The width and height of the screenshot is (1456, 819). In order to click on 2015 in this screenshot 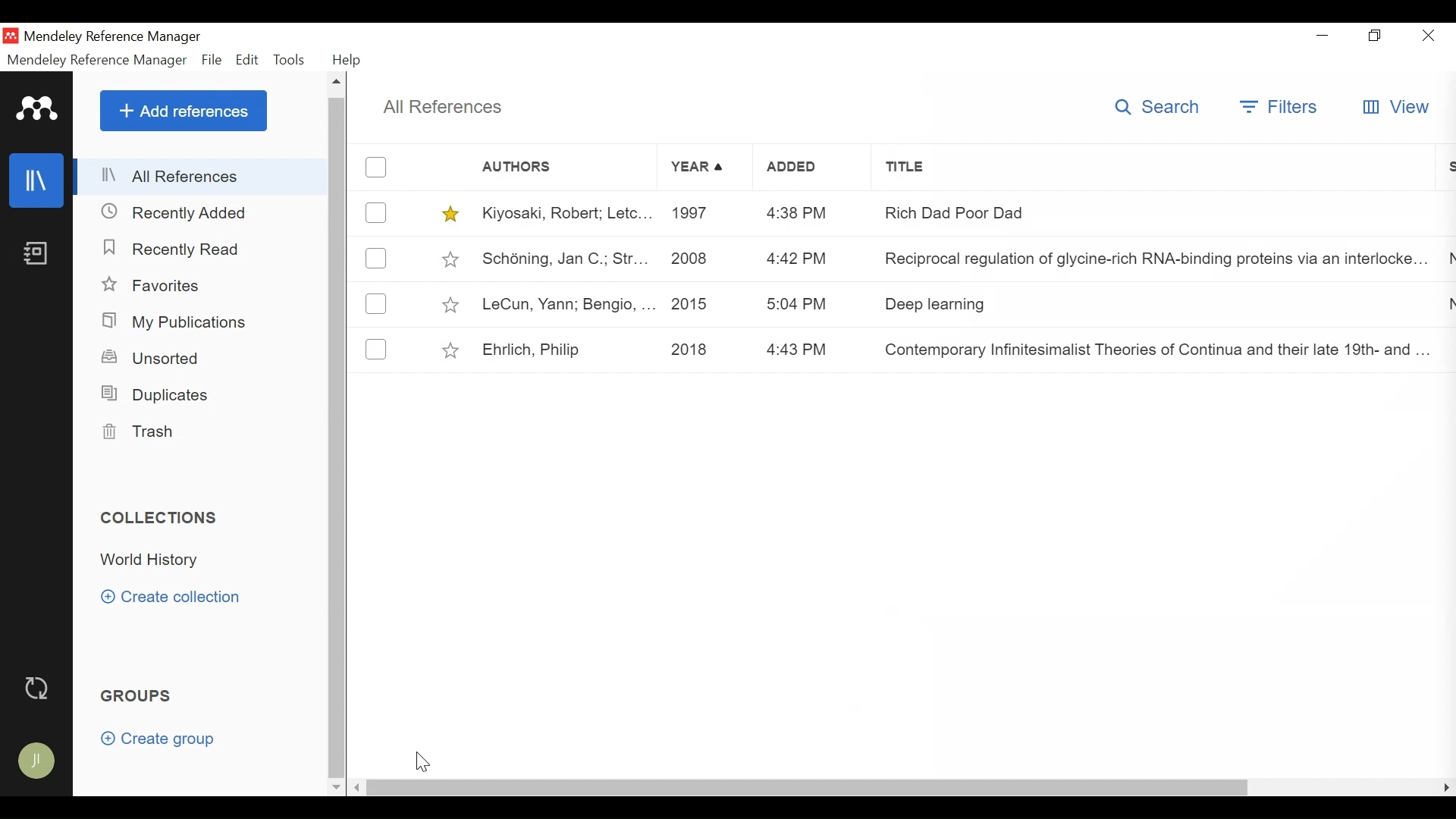, I will do `click(704, 303)`.